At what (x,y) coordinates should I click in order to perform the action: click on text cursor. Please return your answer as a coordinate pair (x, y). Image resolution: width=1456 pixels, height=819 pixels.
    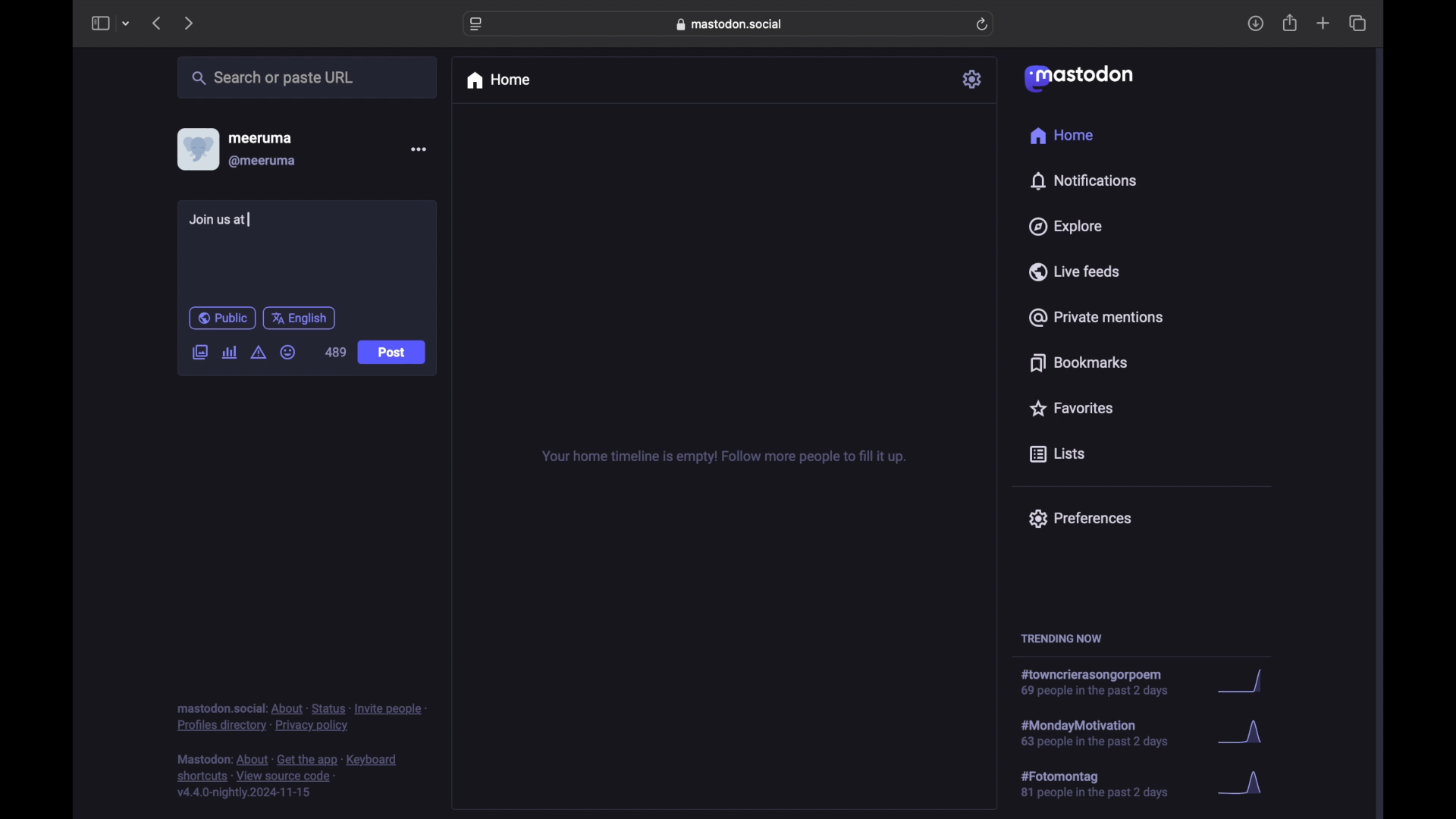
    Looking at the image, I should click on (249, 220).